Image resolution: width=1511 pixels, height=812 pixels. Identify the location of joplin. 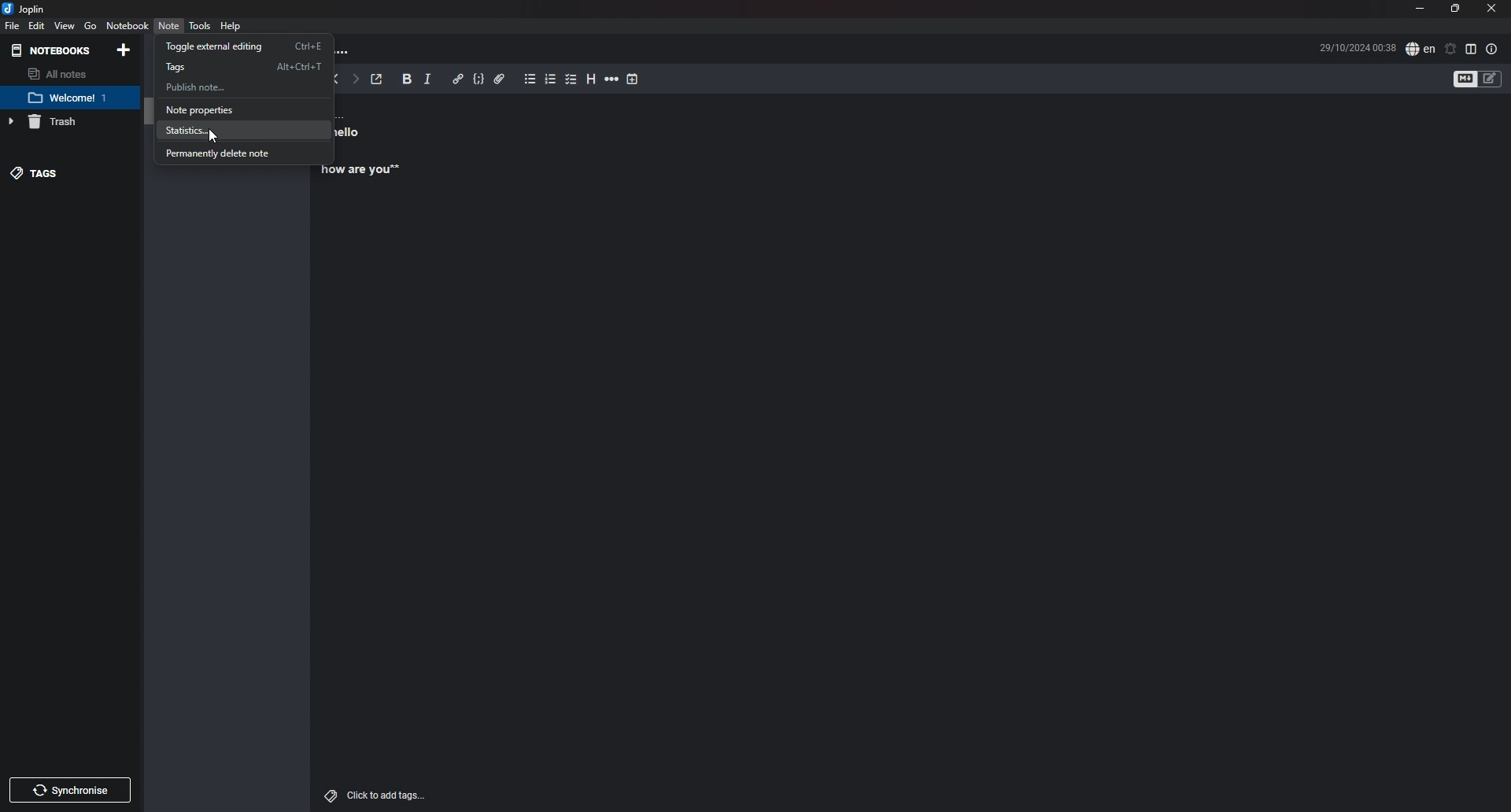
(26, 9).